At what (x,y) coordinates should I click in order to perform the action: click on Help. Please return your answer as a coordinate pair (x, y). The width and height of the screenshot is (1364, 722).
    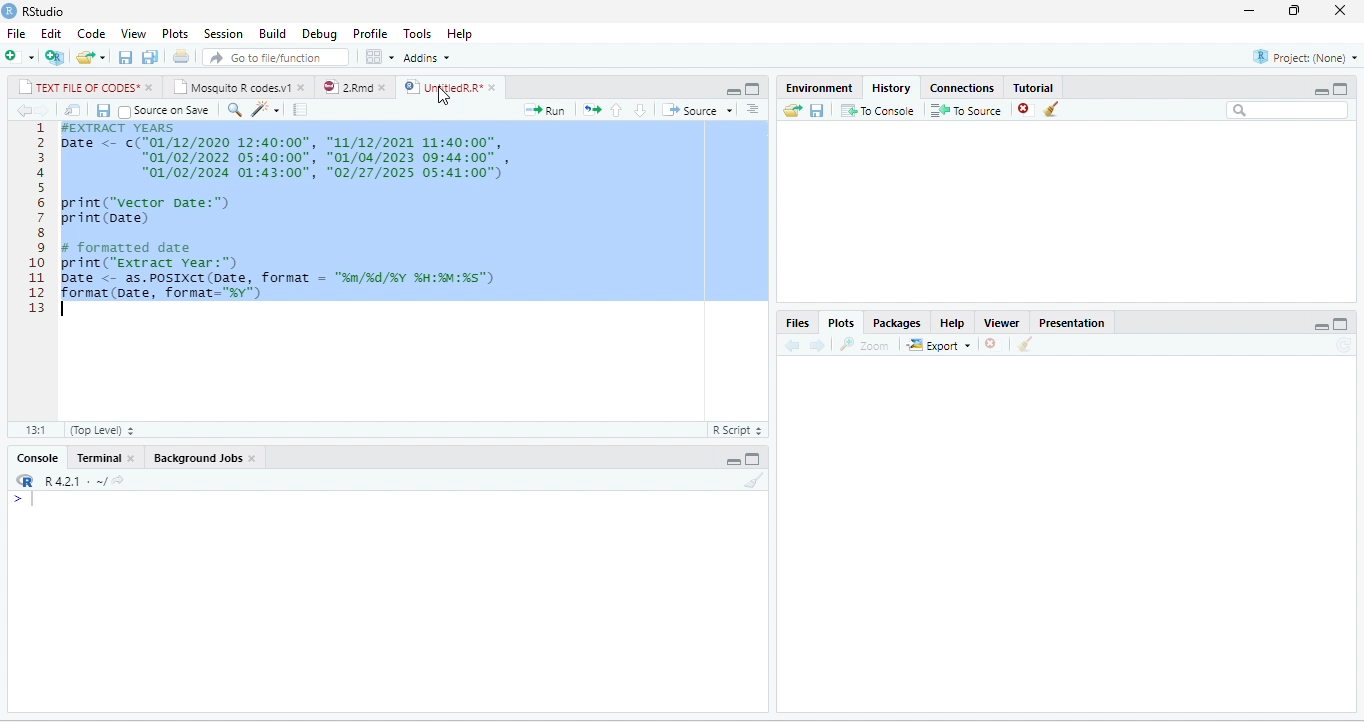
    Looking at the image, I should click on (953, 323).